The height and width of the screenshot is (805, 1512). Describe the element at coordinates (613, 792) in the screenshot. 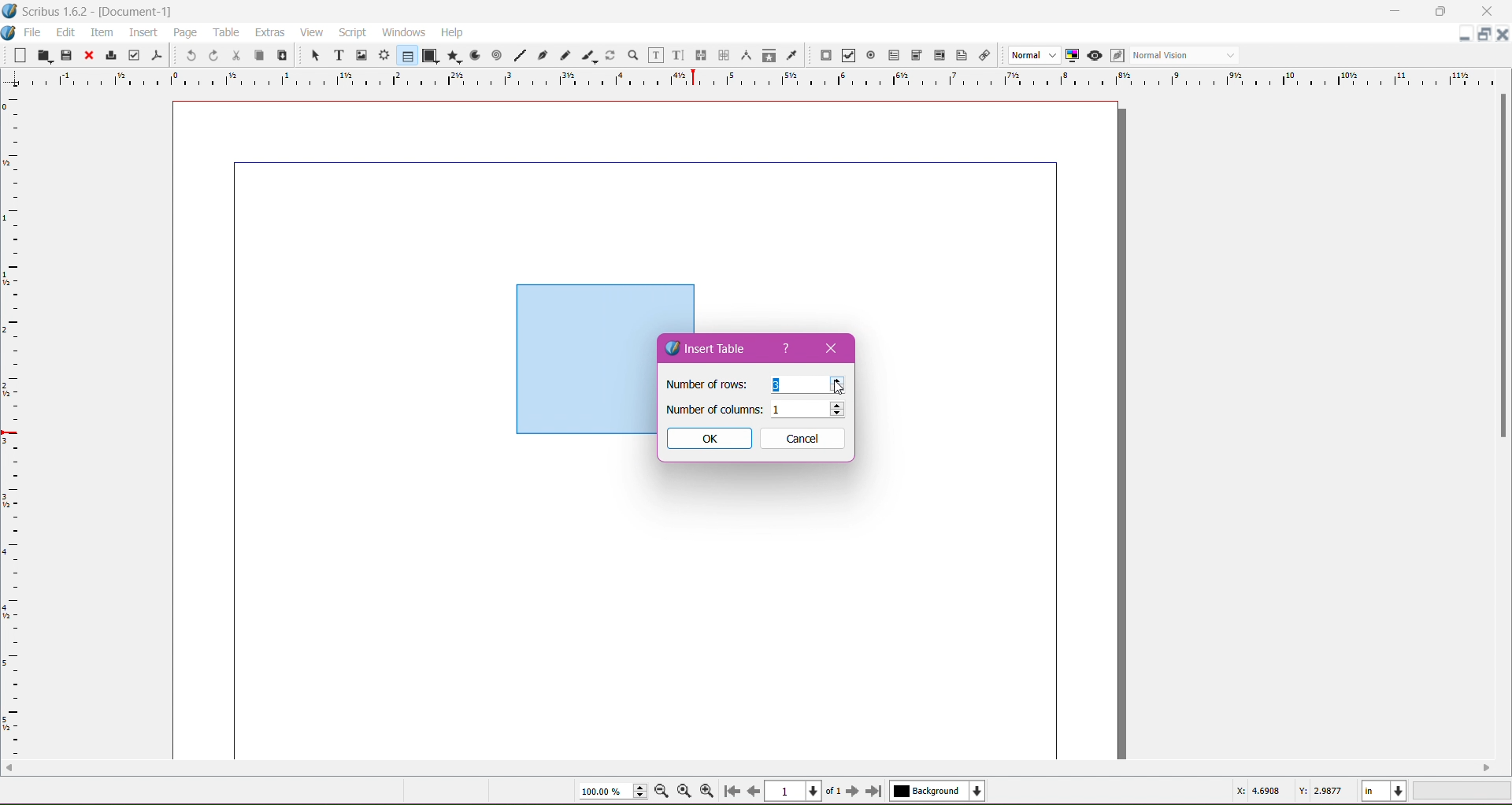

I see `100.00 %` at that location.